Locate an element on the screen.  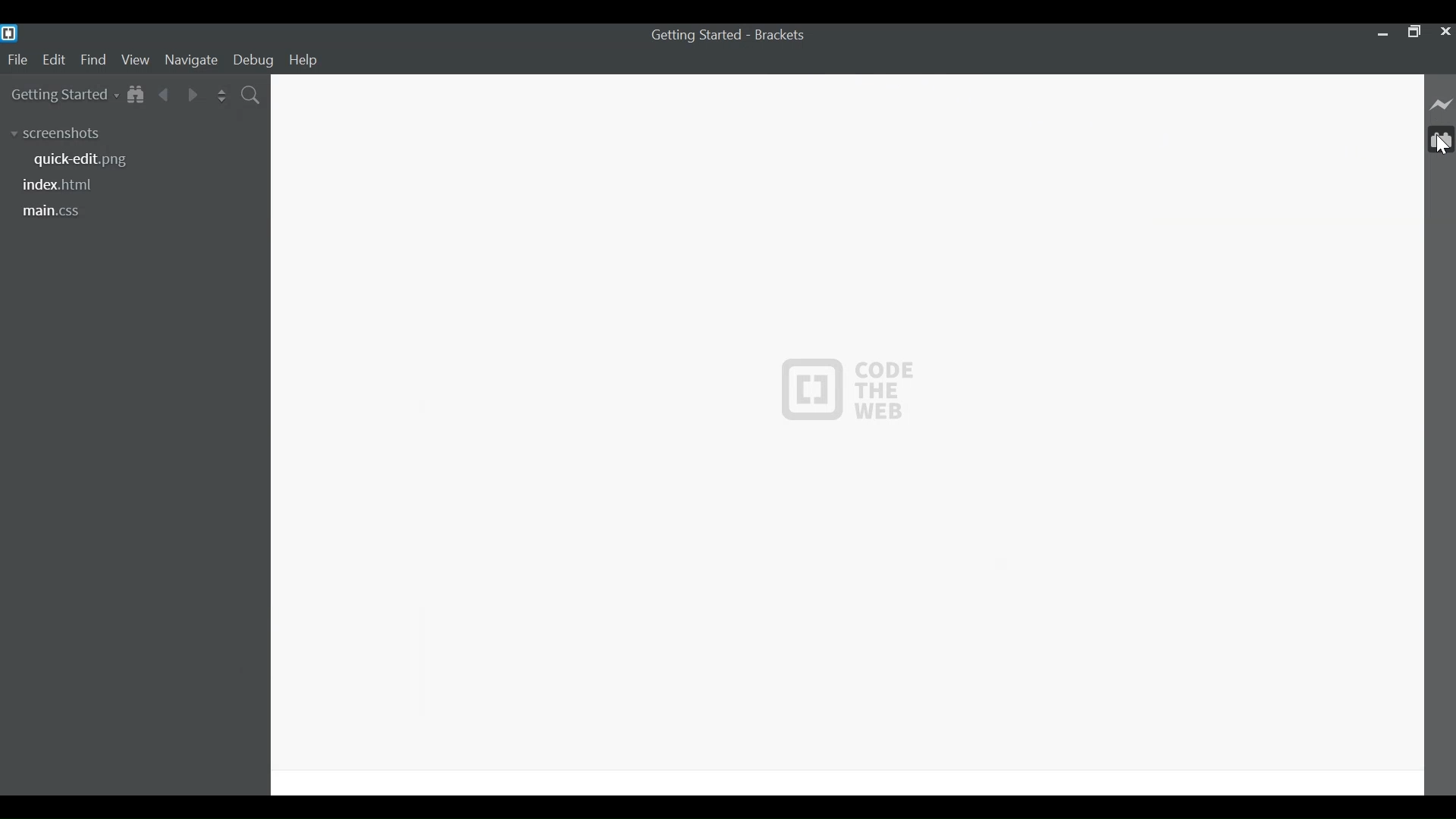
Getting Started is located at coordinates (64, 95).